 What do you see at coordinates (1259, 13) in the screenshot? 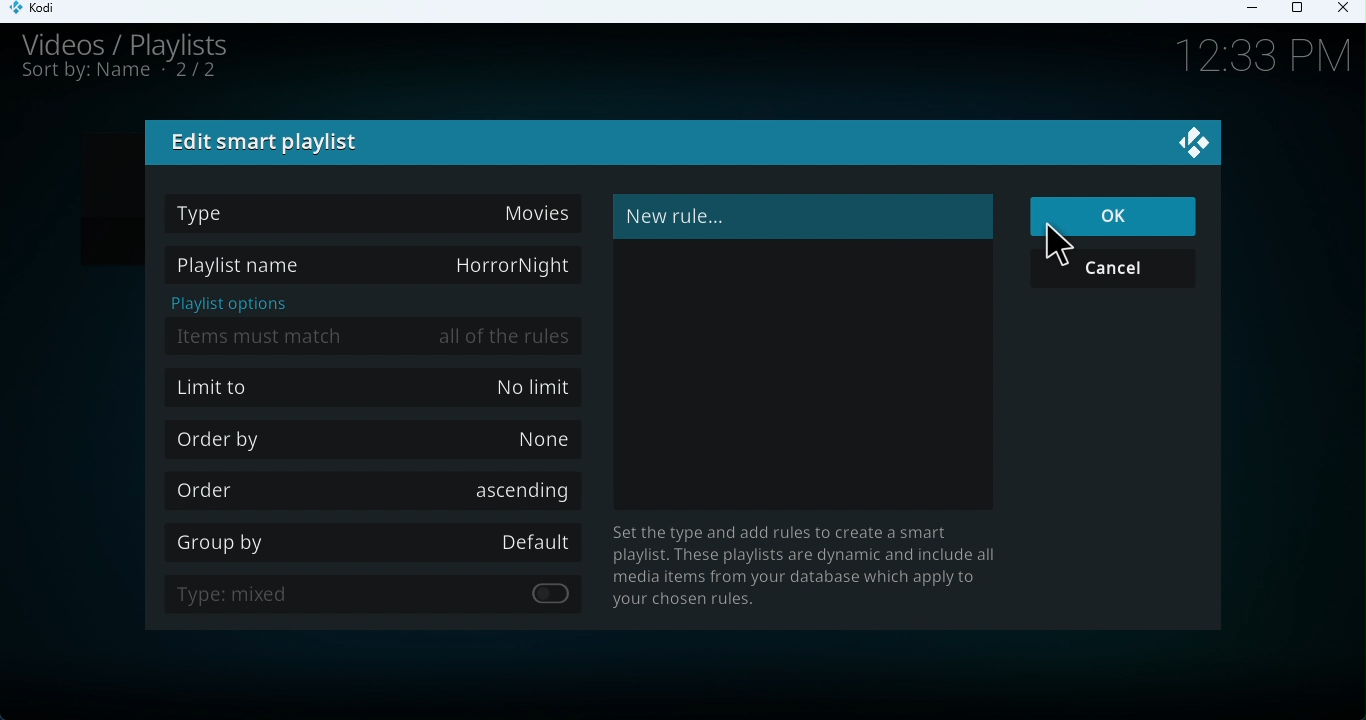
I see `Minimize` at bounding box center [1259, 13].